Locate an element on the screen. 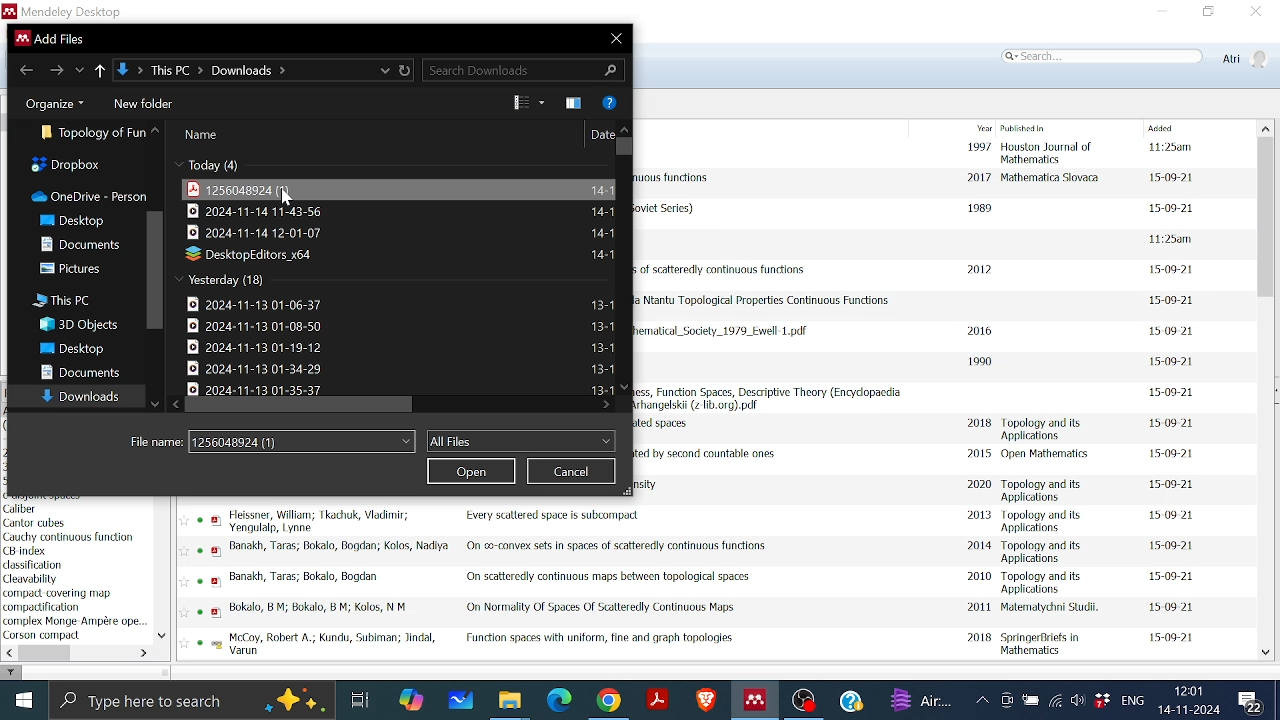 The height and width of the screenshot is (720, 1280). 2020 is located at coordinates (979, 486).